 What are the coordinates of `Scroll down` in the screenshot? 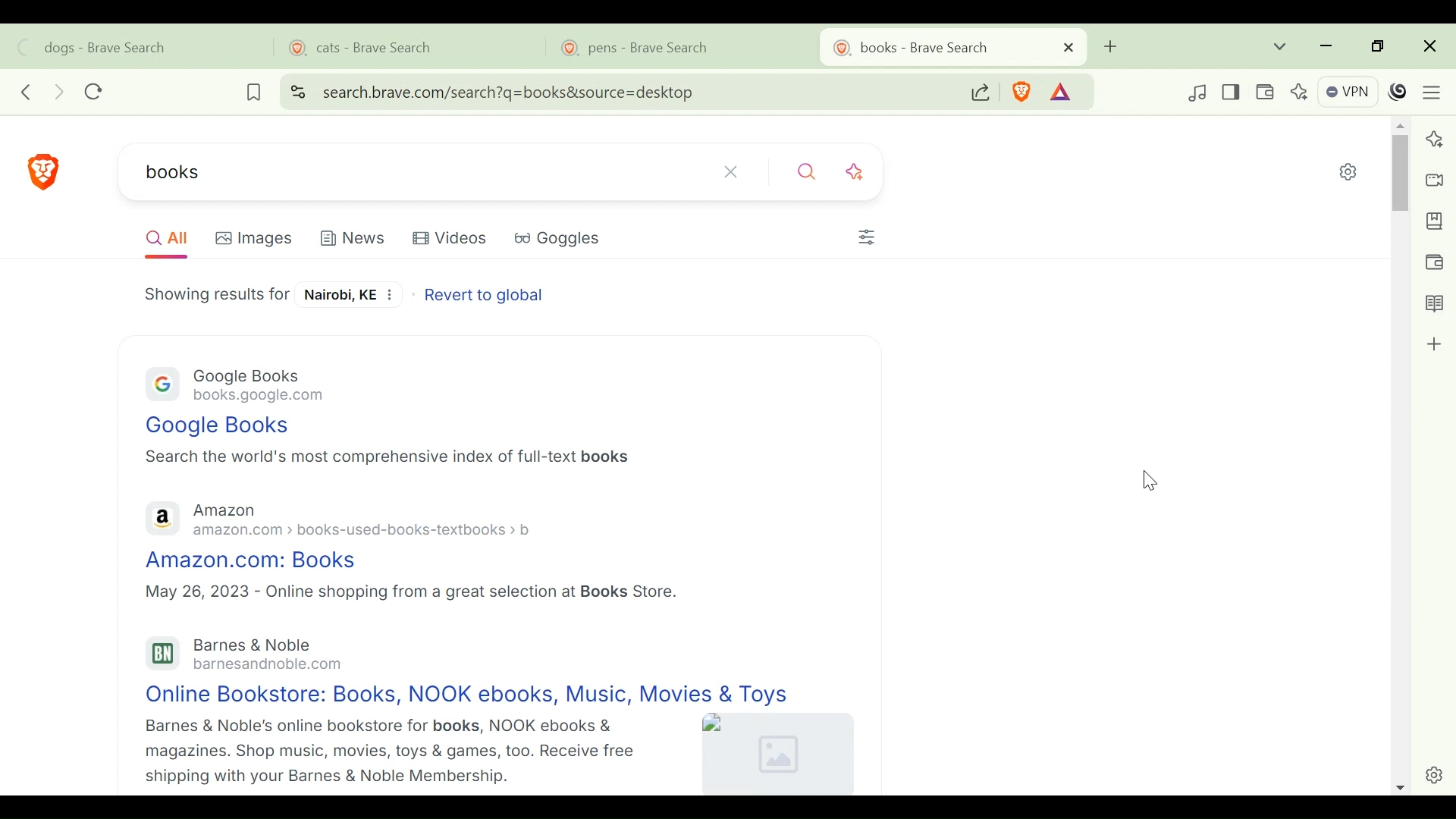 It's located at (1405, 788).